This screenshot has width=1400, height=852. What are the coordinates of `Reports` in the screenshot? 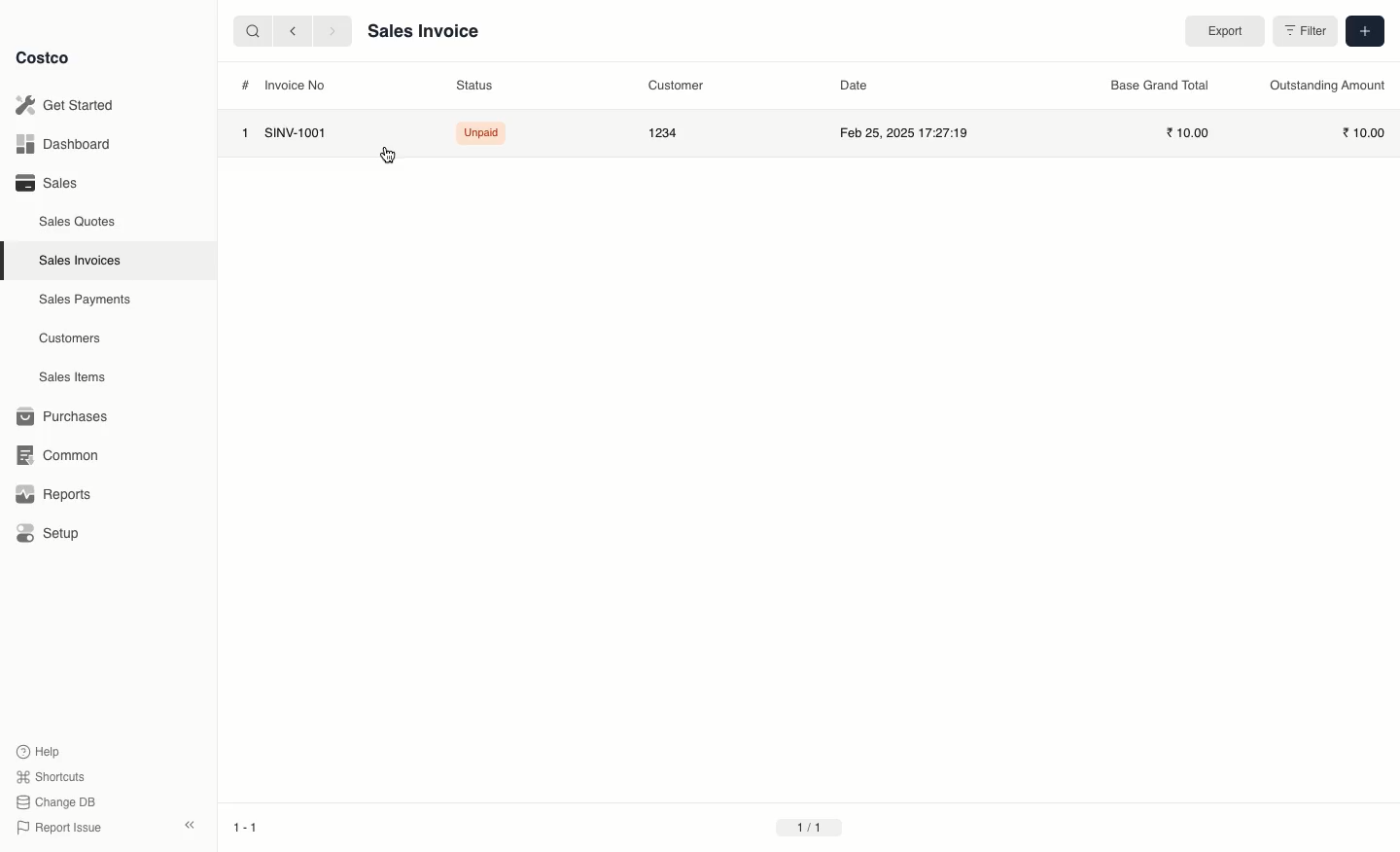 It's located at (53, 496).